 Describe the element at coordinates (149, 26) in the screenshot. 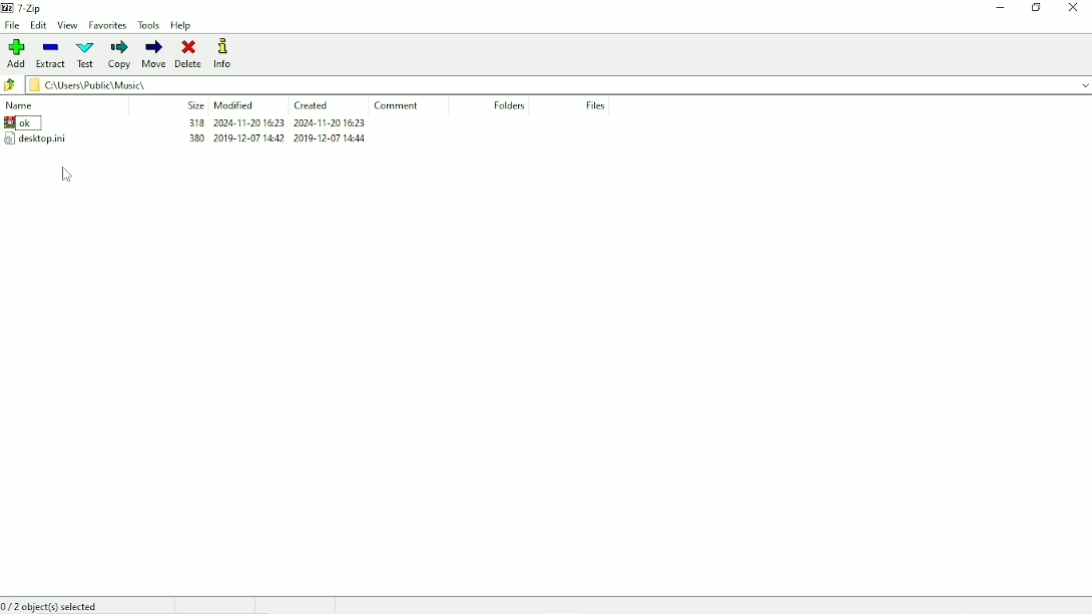

I see `Tools` at that location.